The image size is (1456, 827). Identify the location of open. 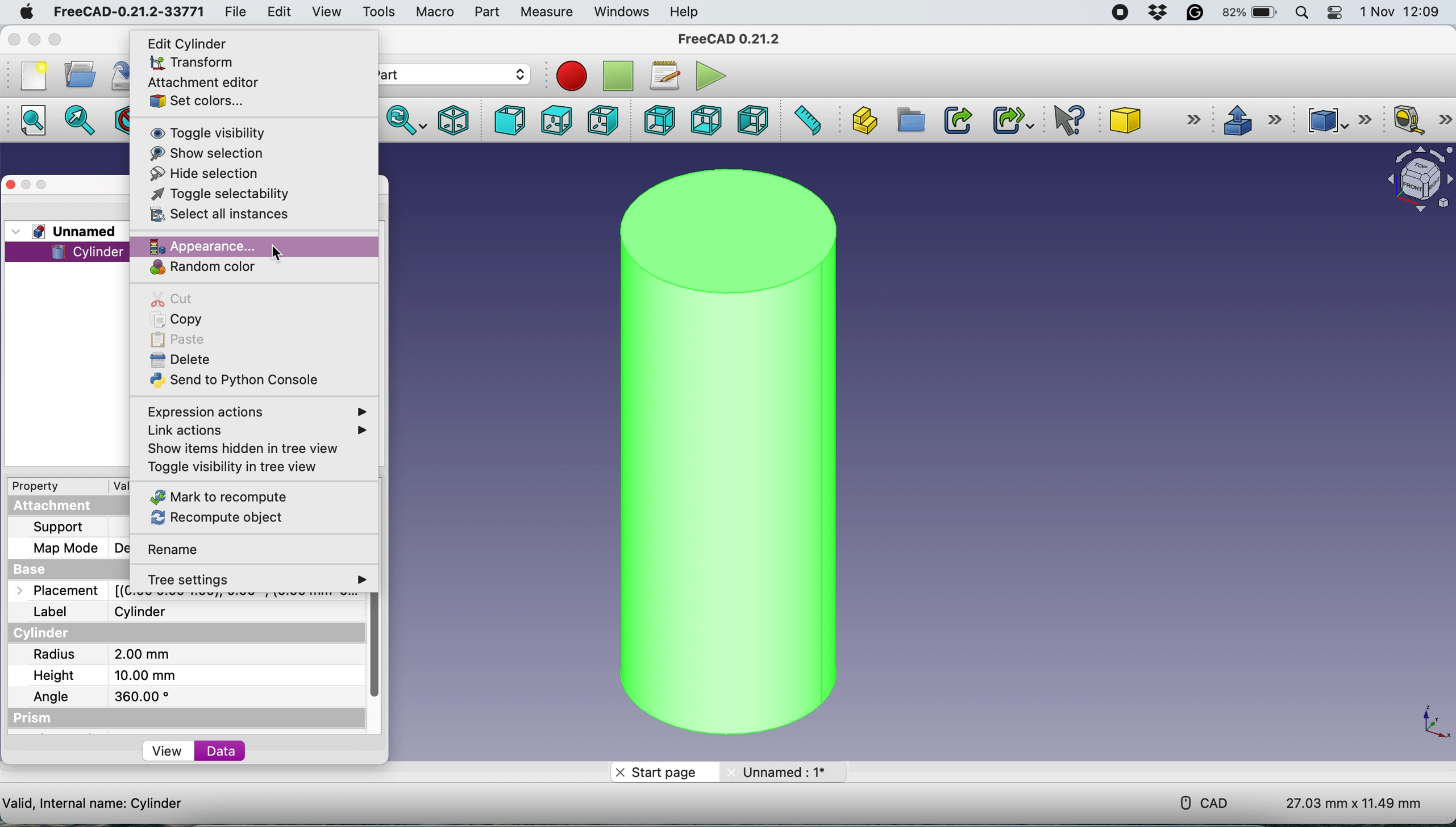
(80, 77).